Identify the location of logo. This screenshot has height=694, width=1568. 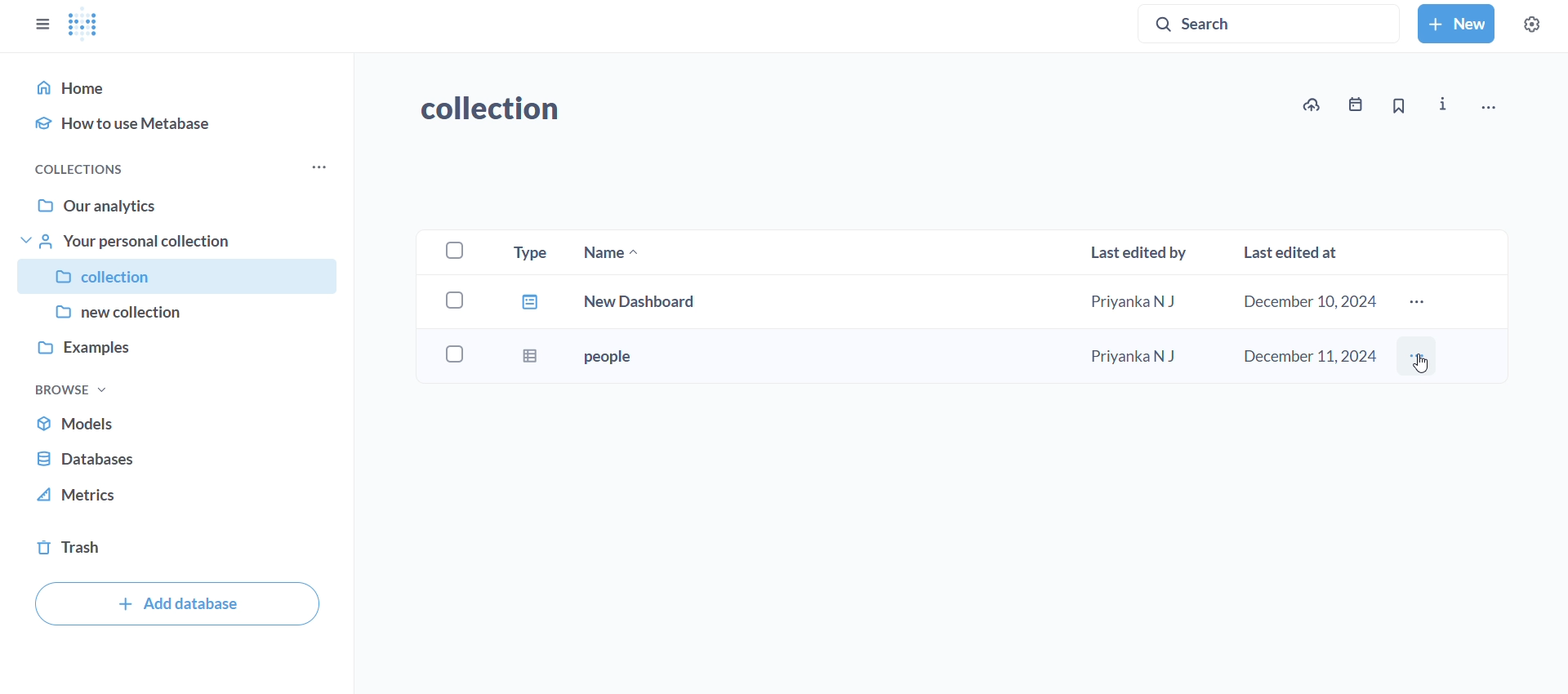
(86, 25).